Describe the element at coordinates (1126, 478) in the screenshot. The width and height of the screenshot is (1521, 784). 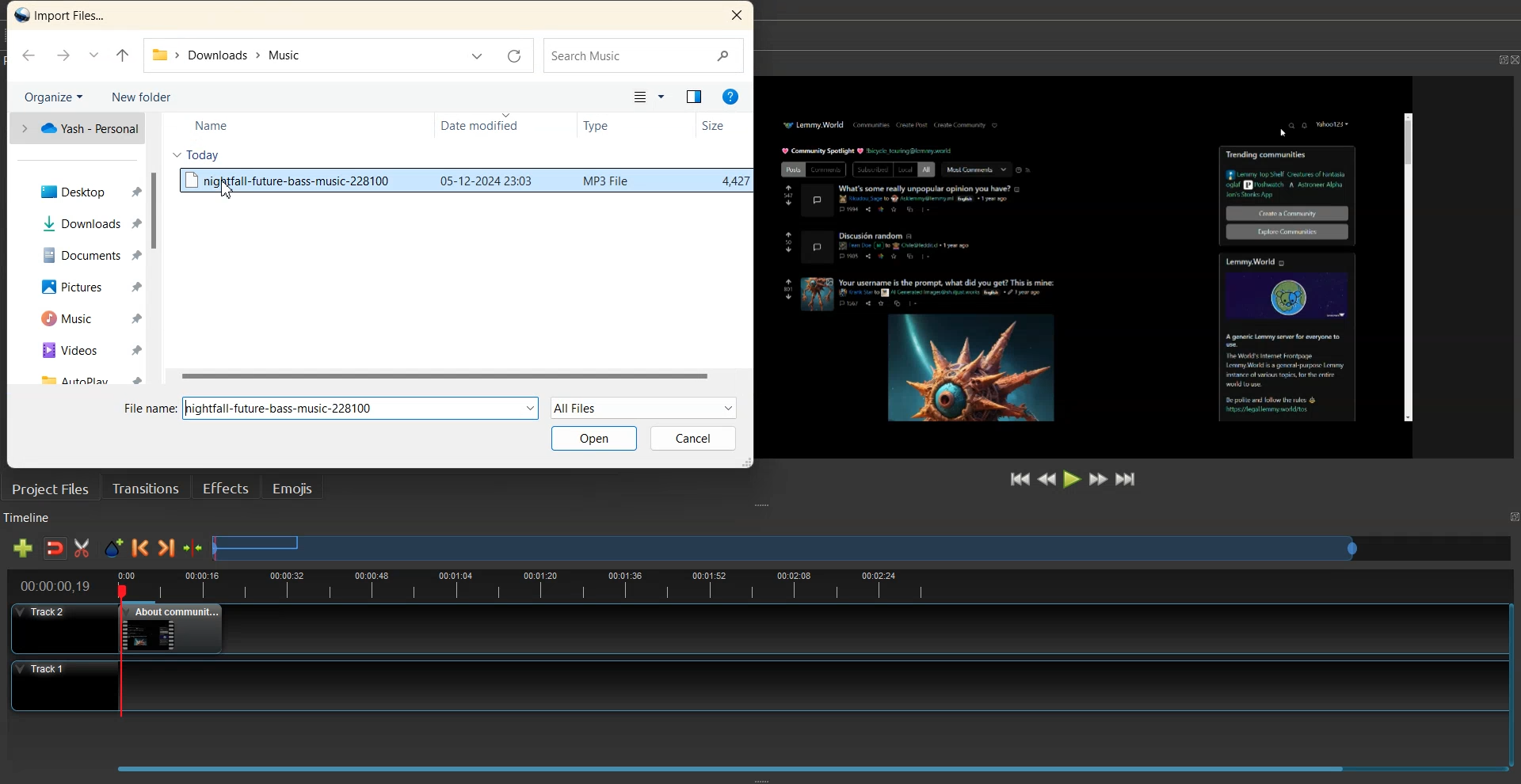
I see `Jump to End` at that location.